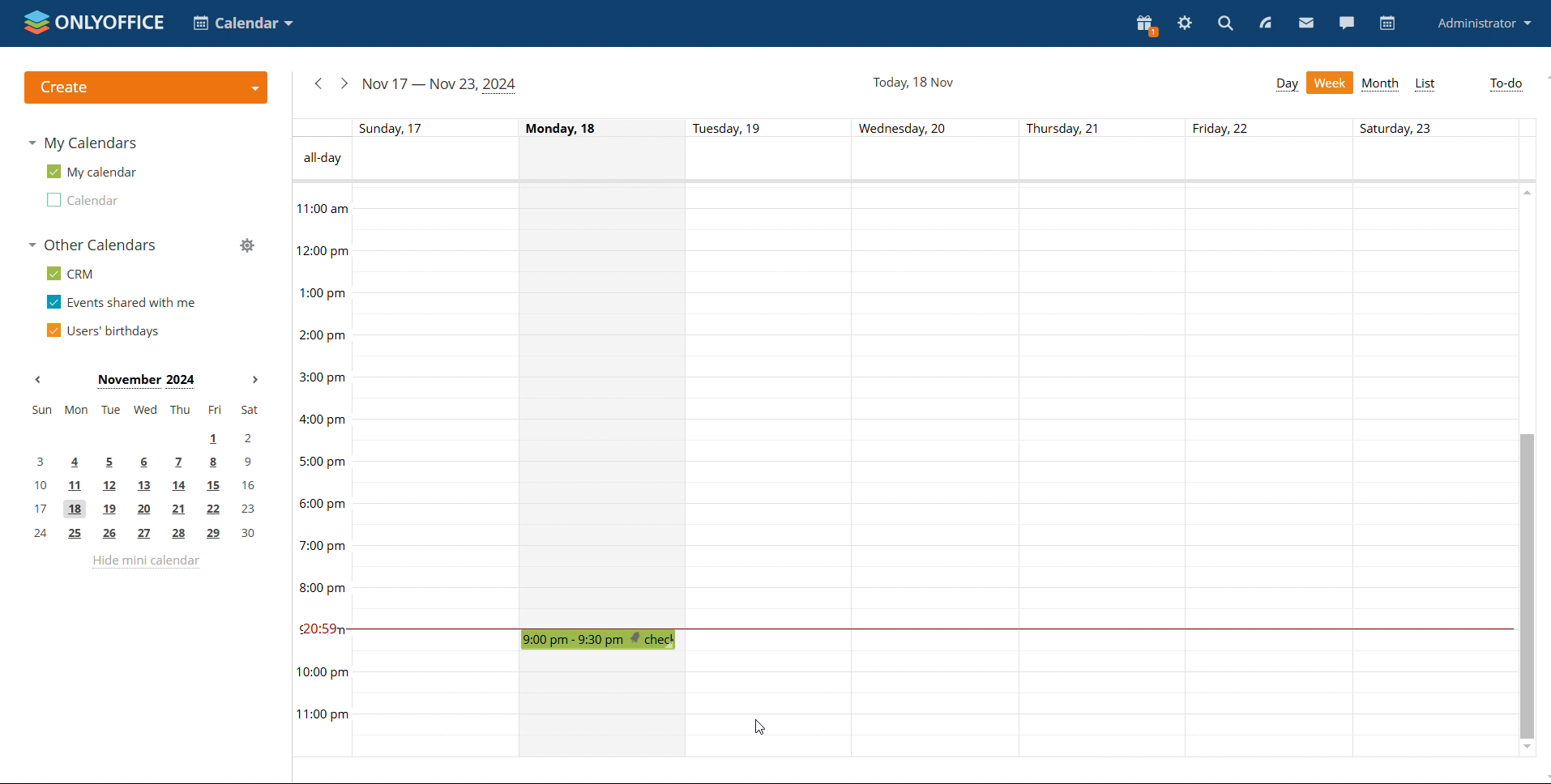 This screenshot has height=784, width=1551. Describe the element at coordinates (937, 471) in the screenshot. I see `Wednesday` at that location.